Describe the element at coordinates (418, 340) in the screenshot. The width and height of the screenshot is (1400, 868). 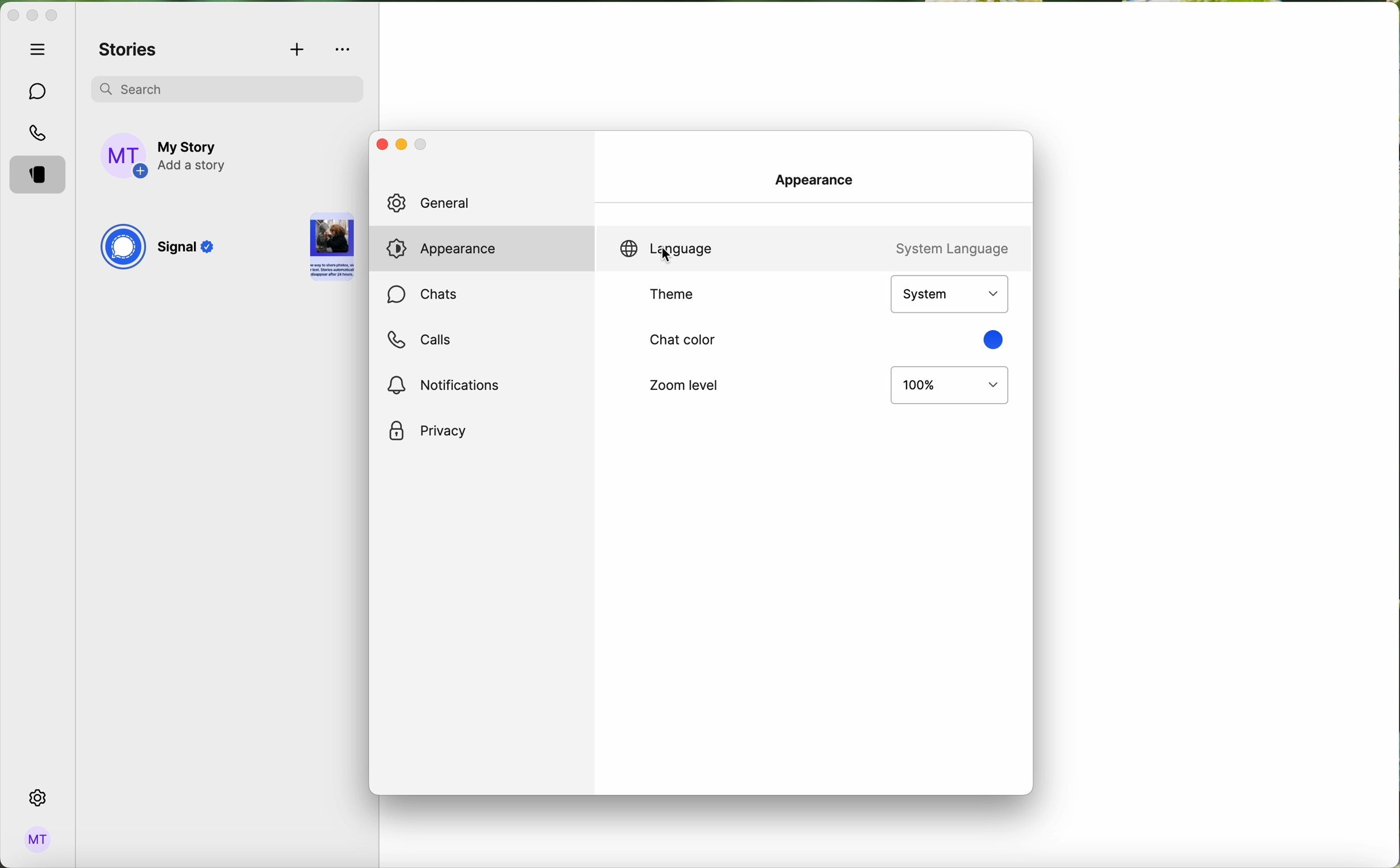
I see `calls` at that location.